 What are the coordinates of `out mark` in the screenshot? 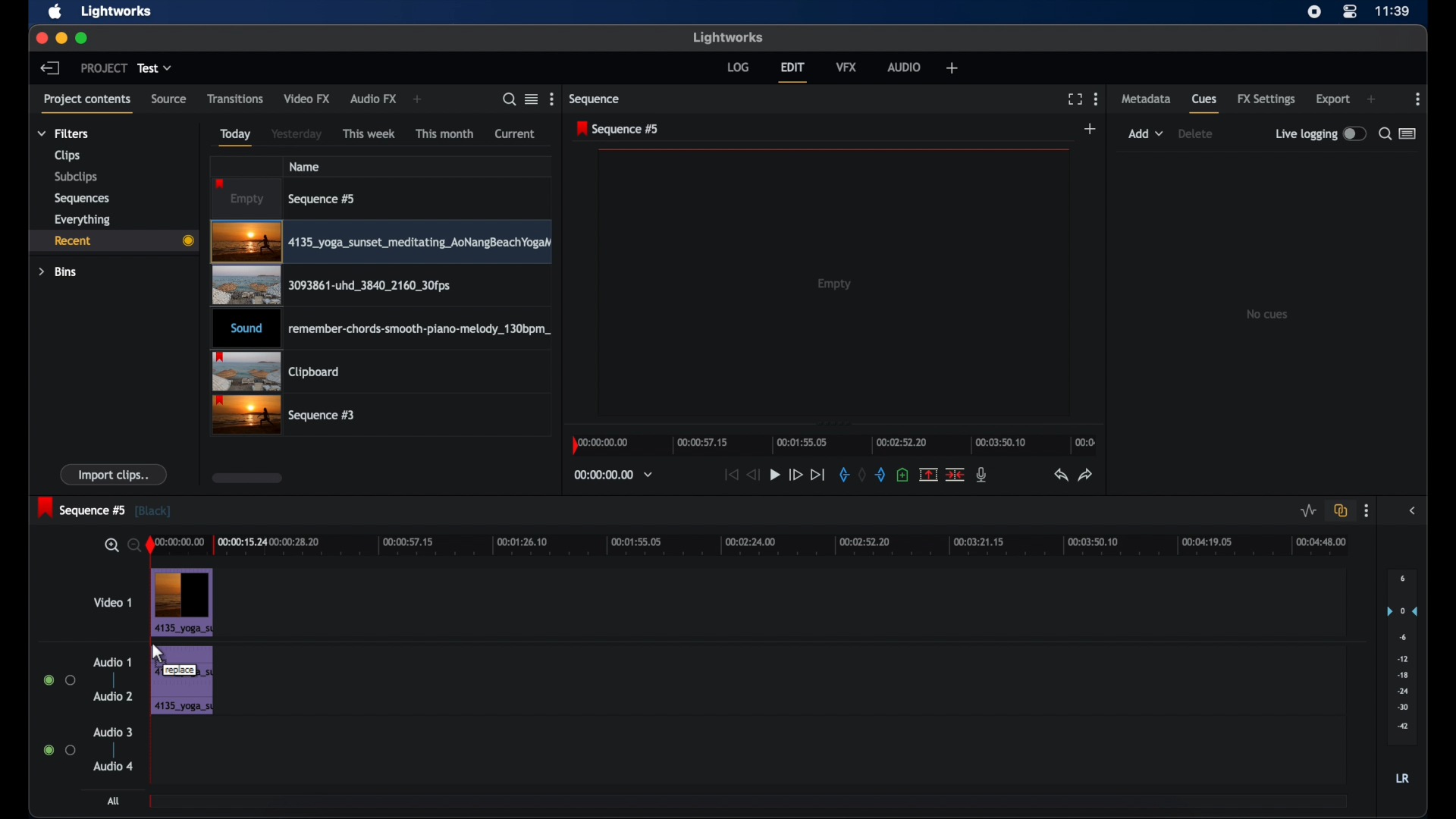 It's located at (883, 475).